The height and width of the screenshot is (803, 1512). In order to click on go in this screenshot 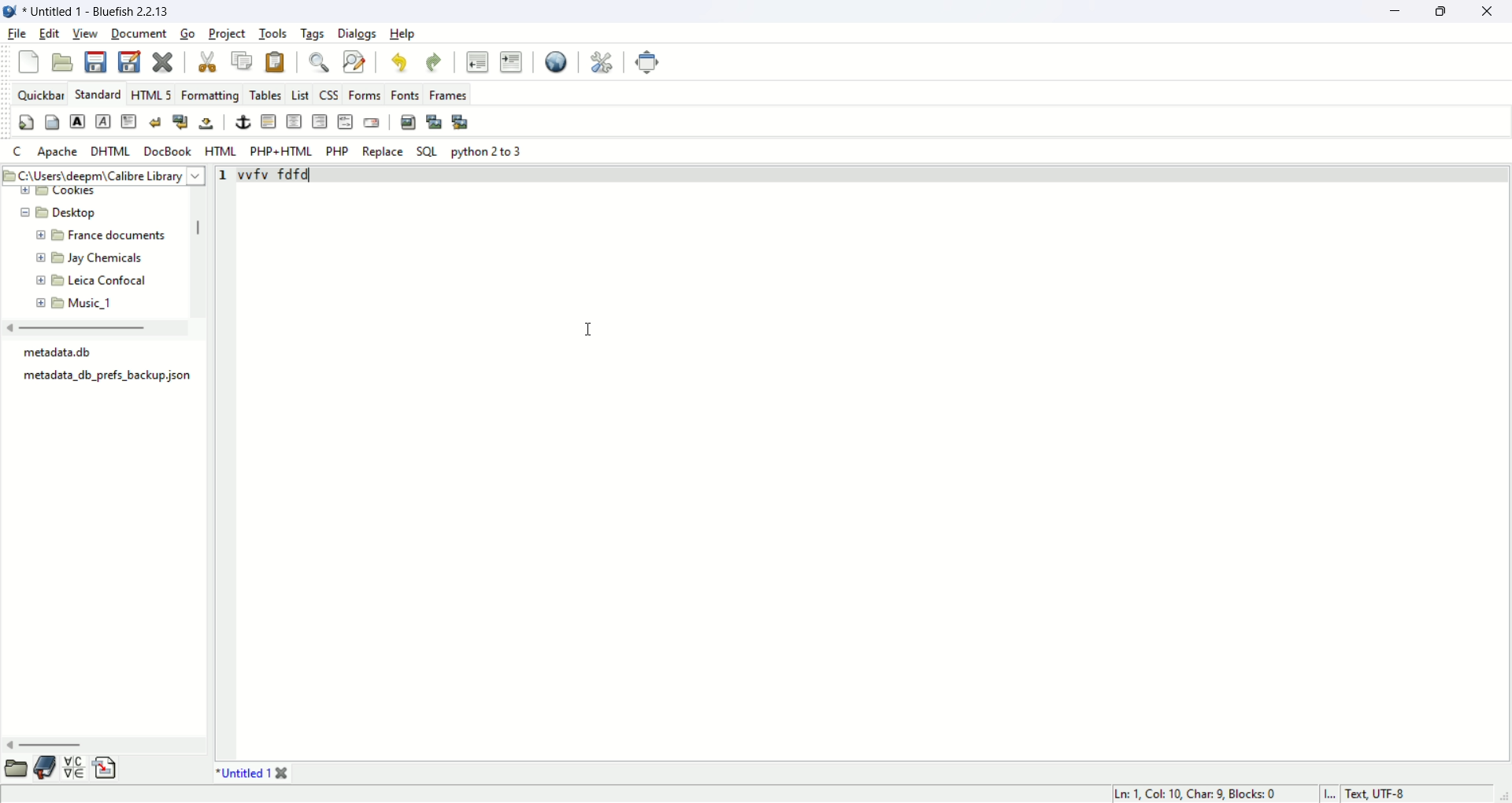, I will do `click(187, 33)`.